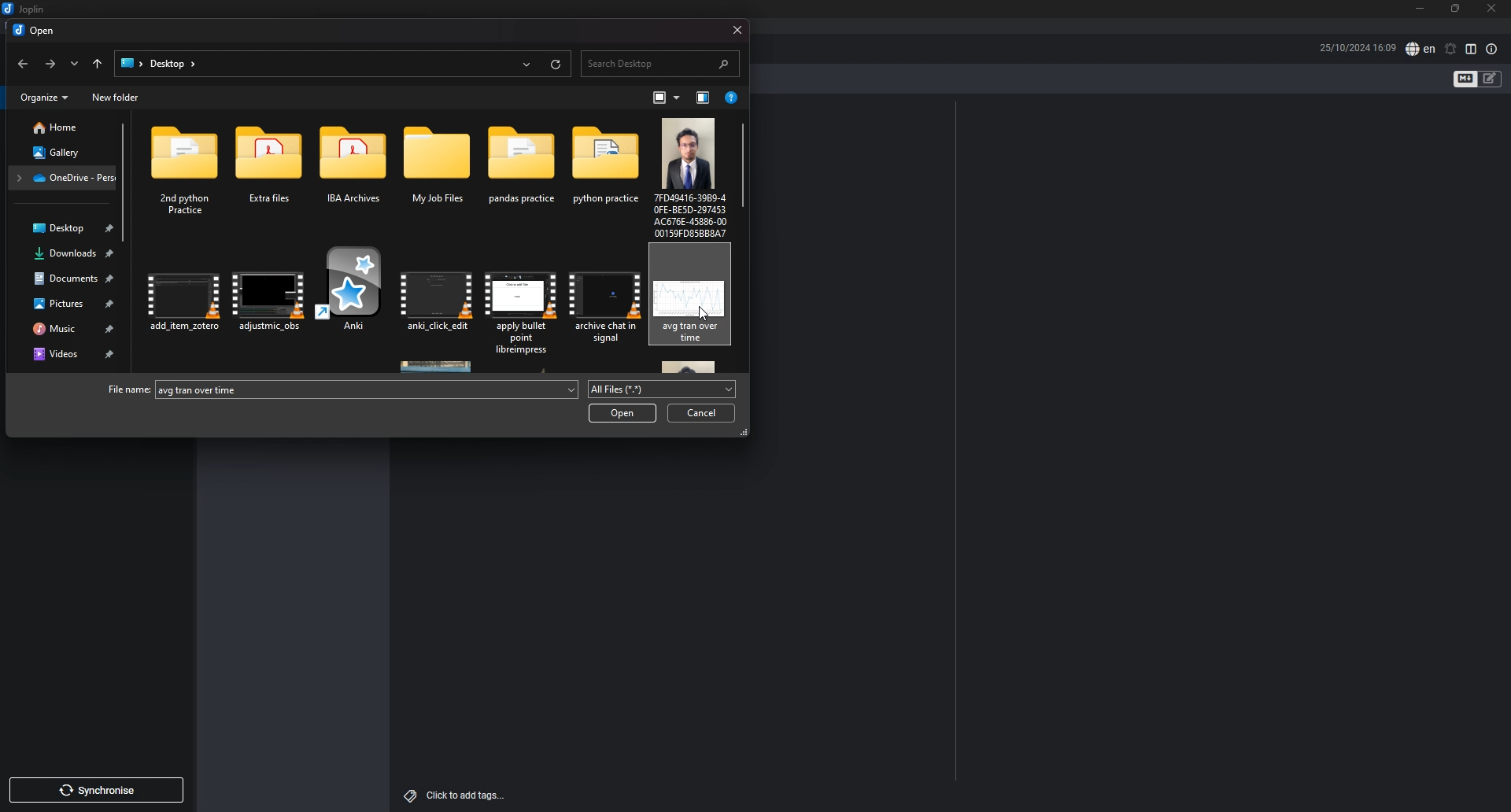 This screenshot has height=812, width=1511. What do you see at coordinates (45, 98) in the screenshot?
I see `organize` at bounding box center [45, 98].